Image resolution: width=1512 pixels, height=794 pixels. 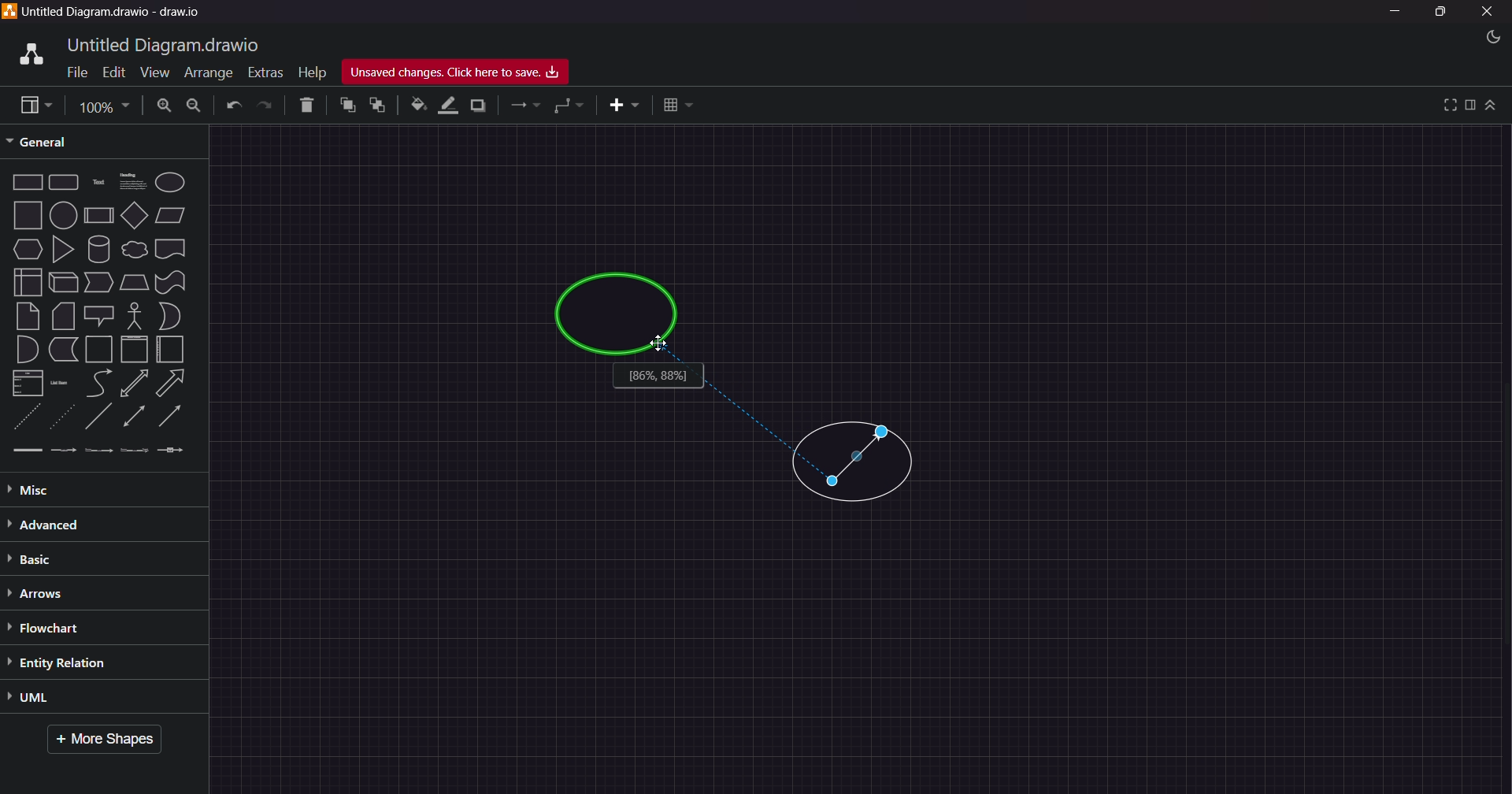 I want to click on collapse/expand, so click(x=1492, y=106).